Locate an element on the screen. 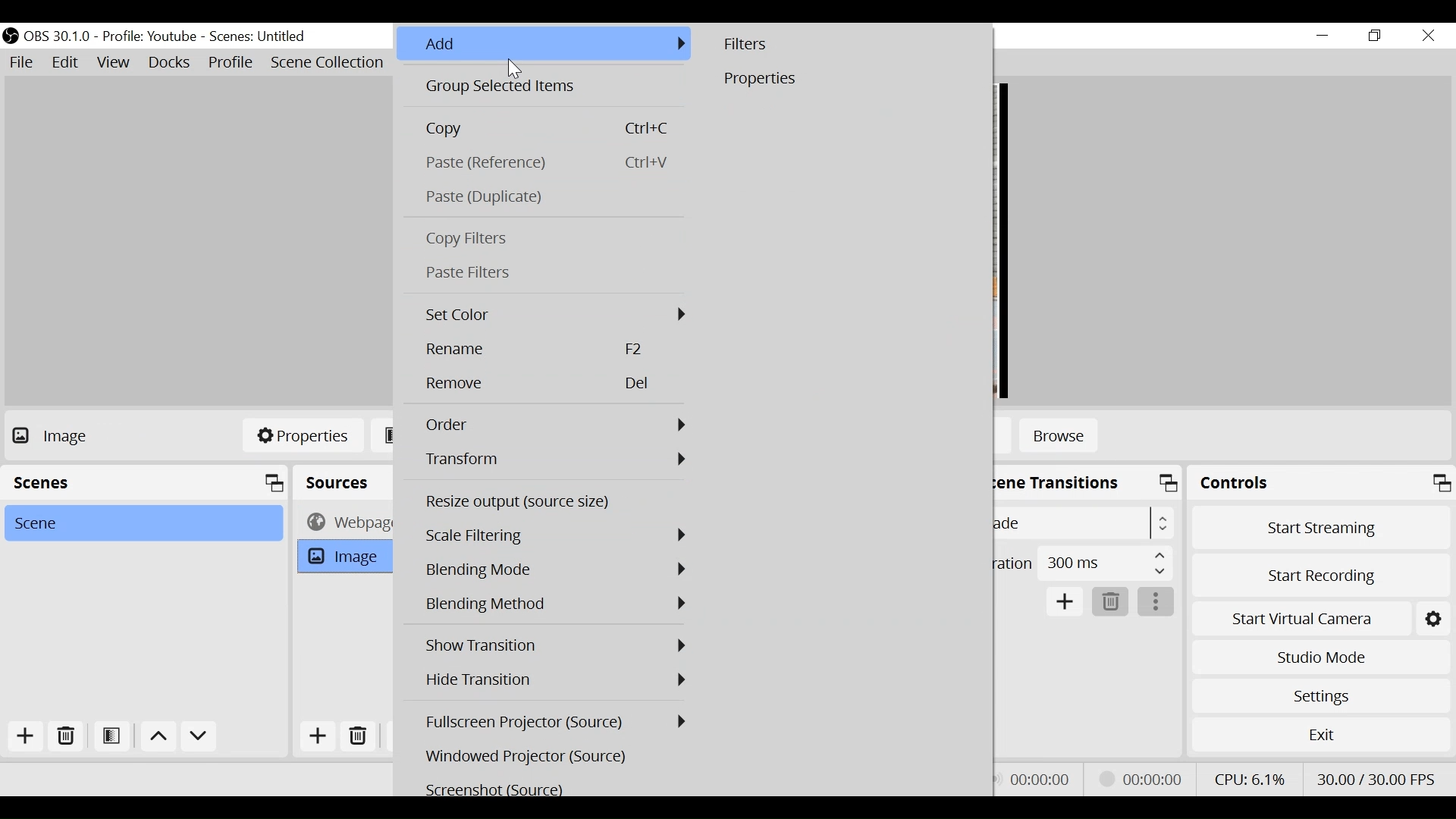  Edit is located at coordinates (66, 62).